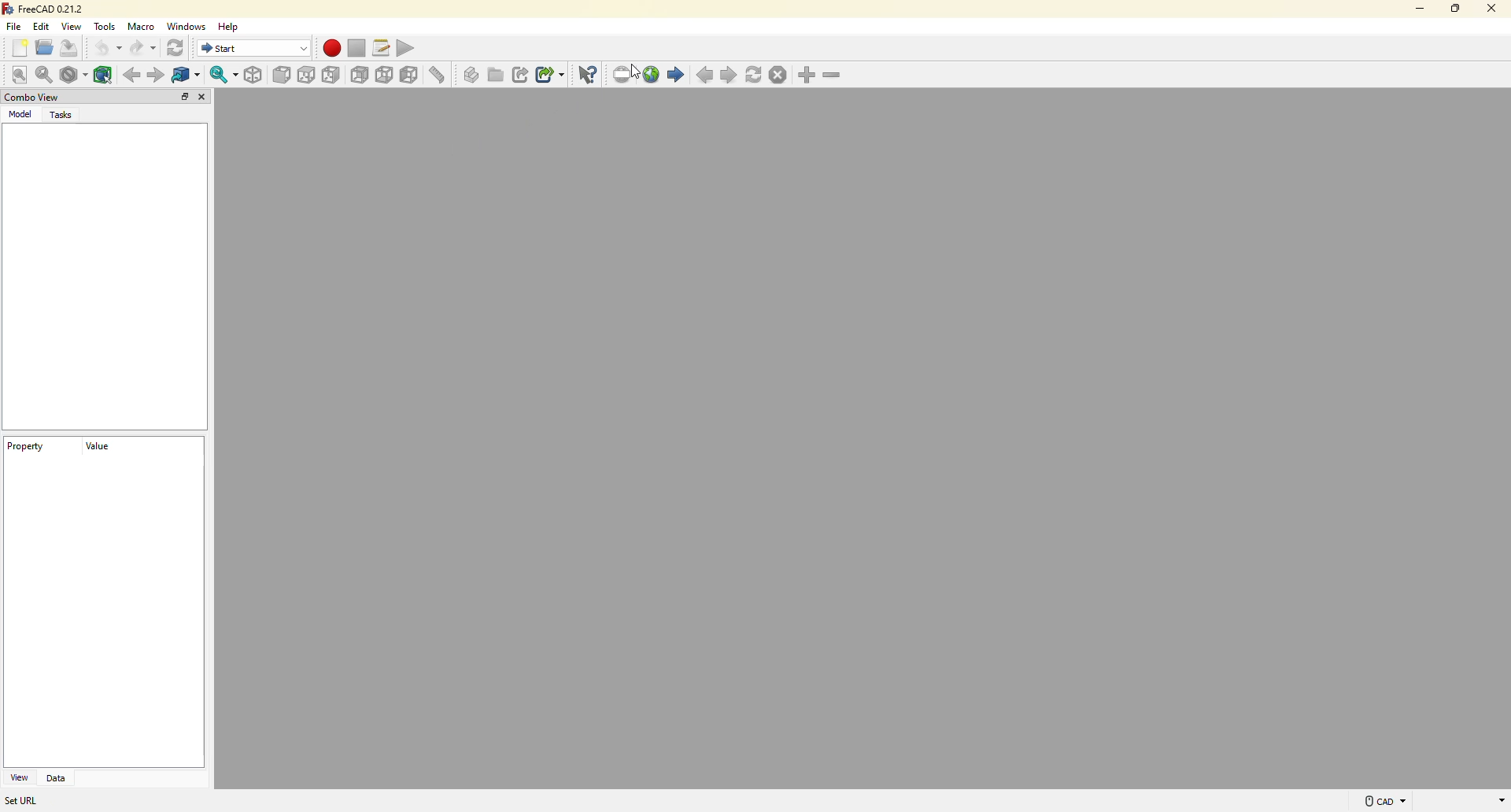 Image resolution: width=1511 pixels, height=812 pixels. I want to click on previous page, so click(707, 76).